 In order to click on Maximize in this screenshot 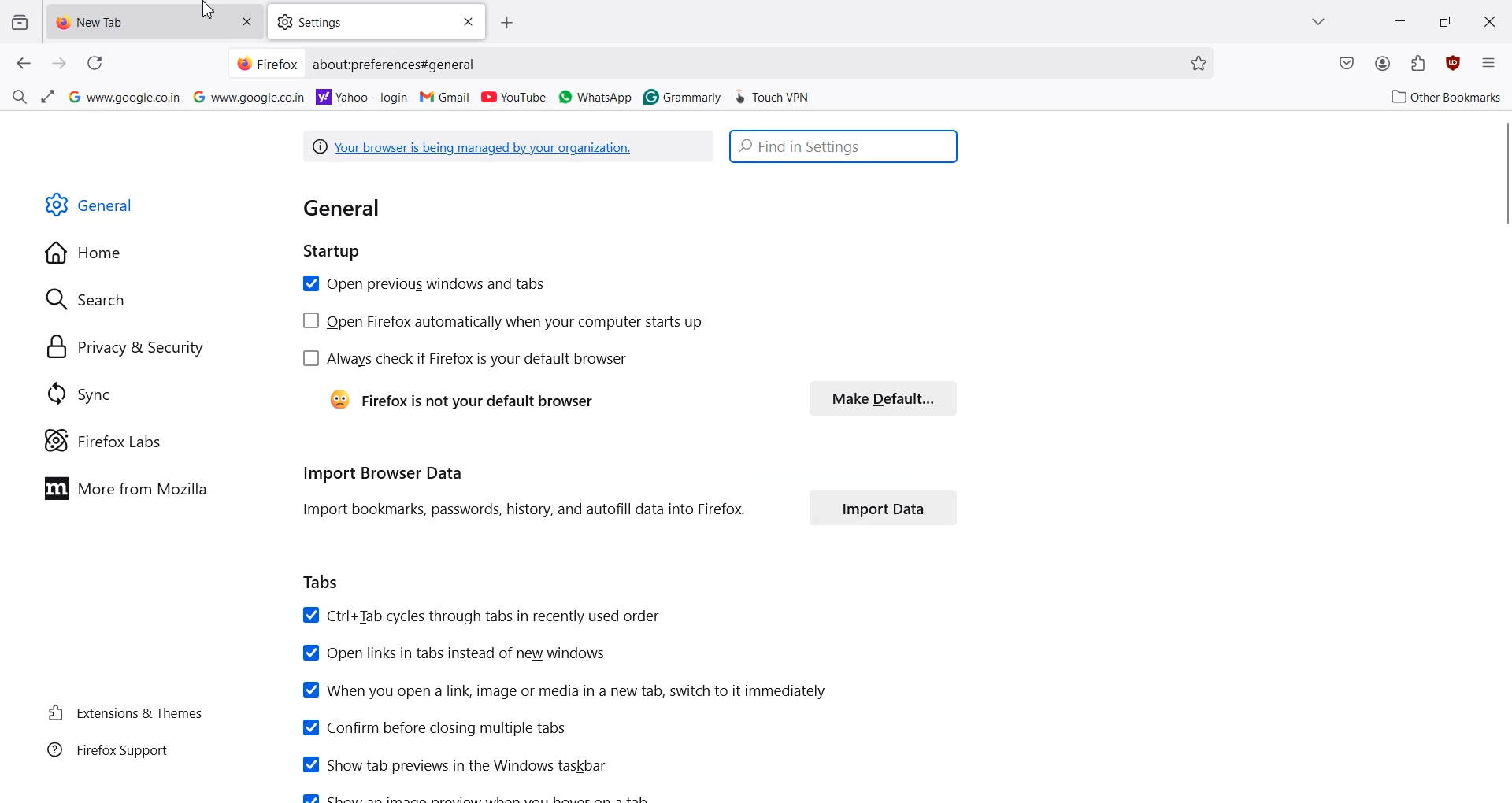, I will do `click(1444, 20)`.